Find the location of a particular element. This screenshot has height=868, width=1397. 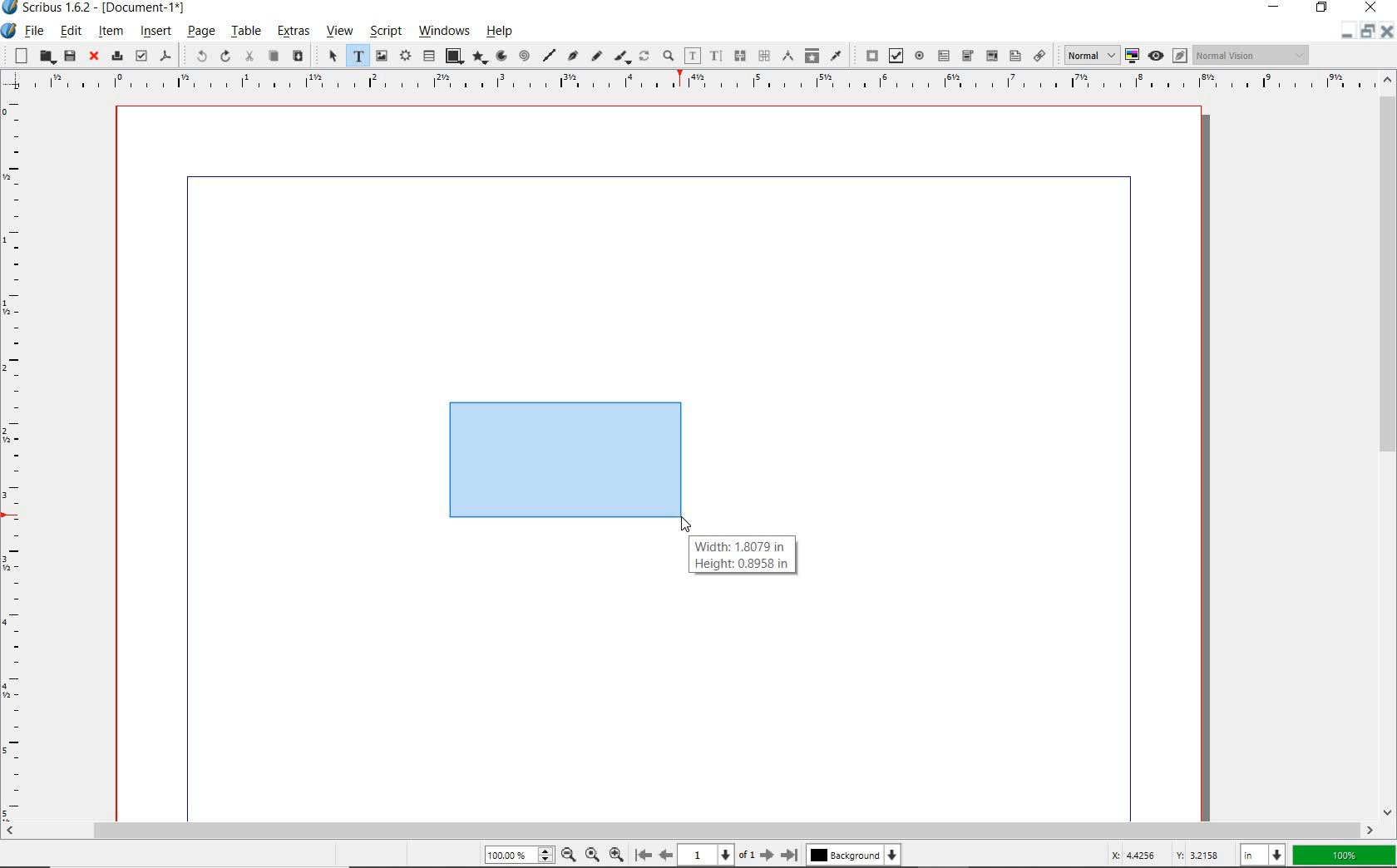

render frame is located at coordinates (404, 57).